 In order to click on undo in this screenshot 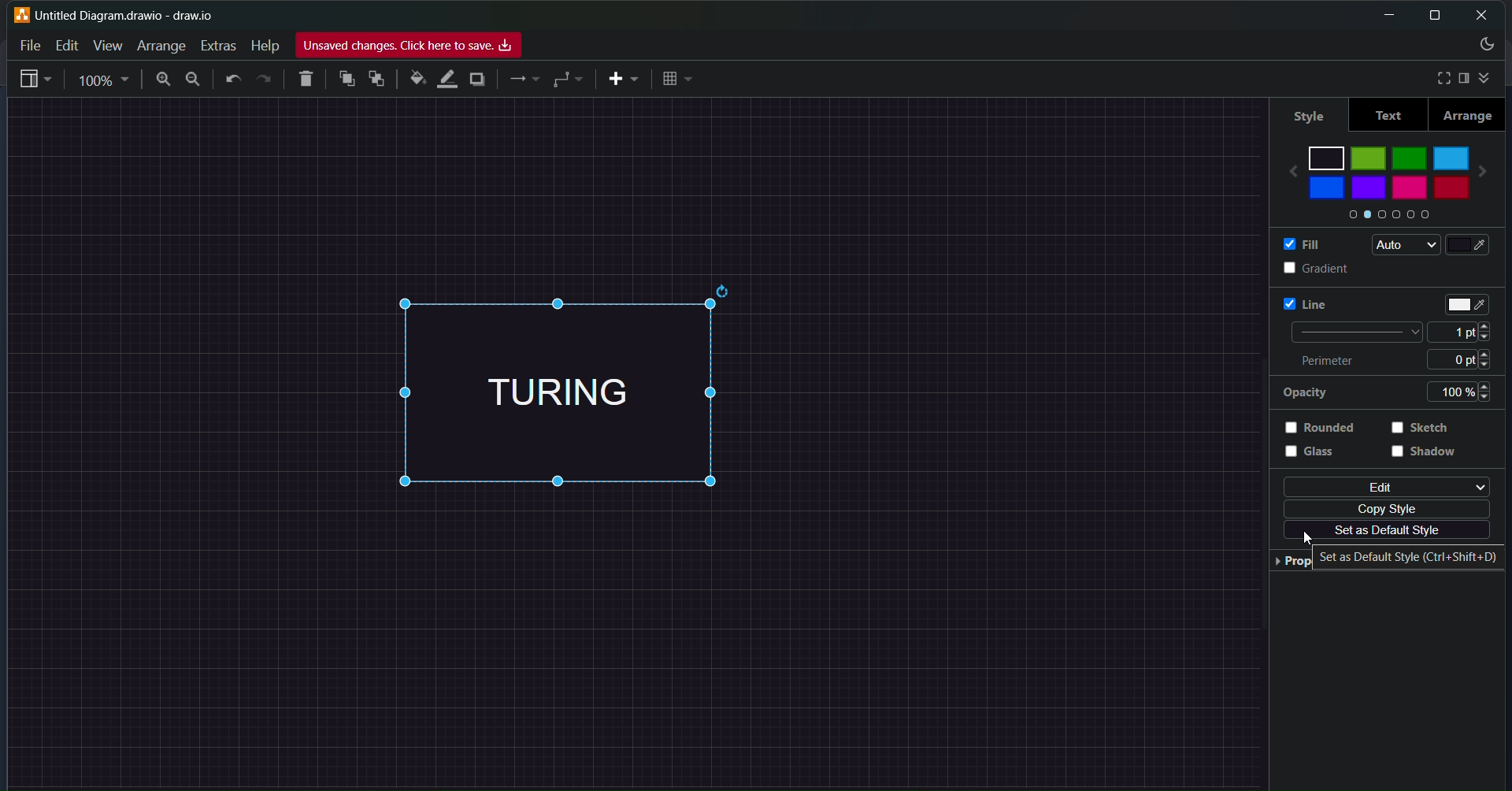, I will do `click(235, 80)`.